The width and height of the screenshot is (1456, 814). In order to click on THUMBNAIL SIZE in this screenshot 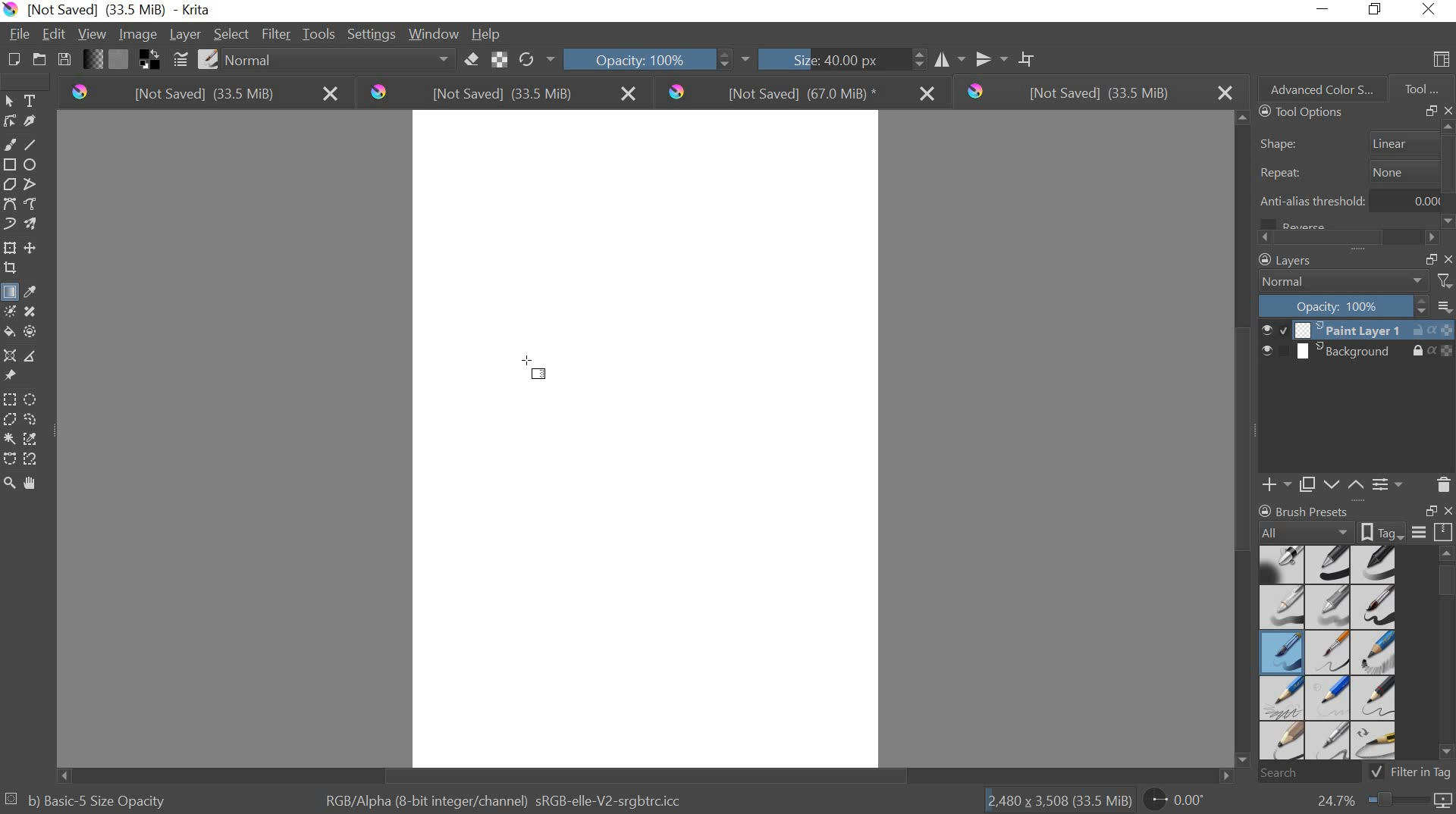, I will do `click(1446, 305)`.